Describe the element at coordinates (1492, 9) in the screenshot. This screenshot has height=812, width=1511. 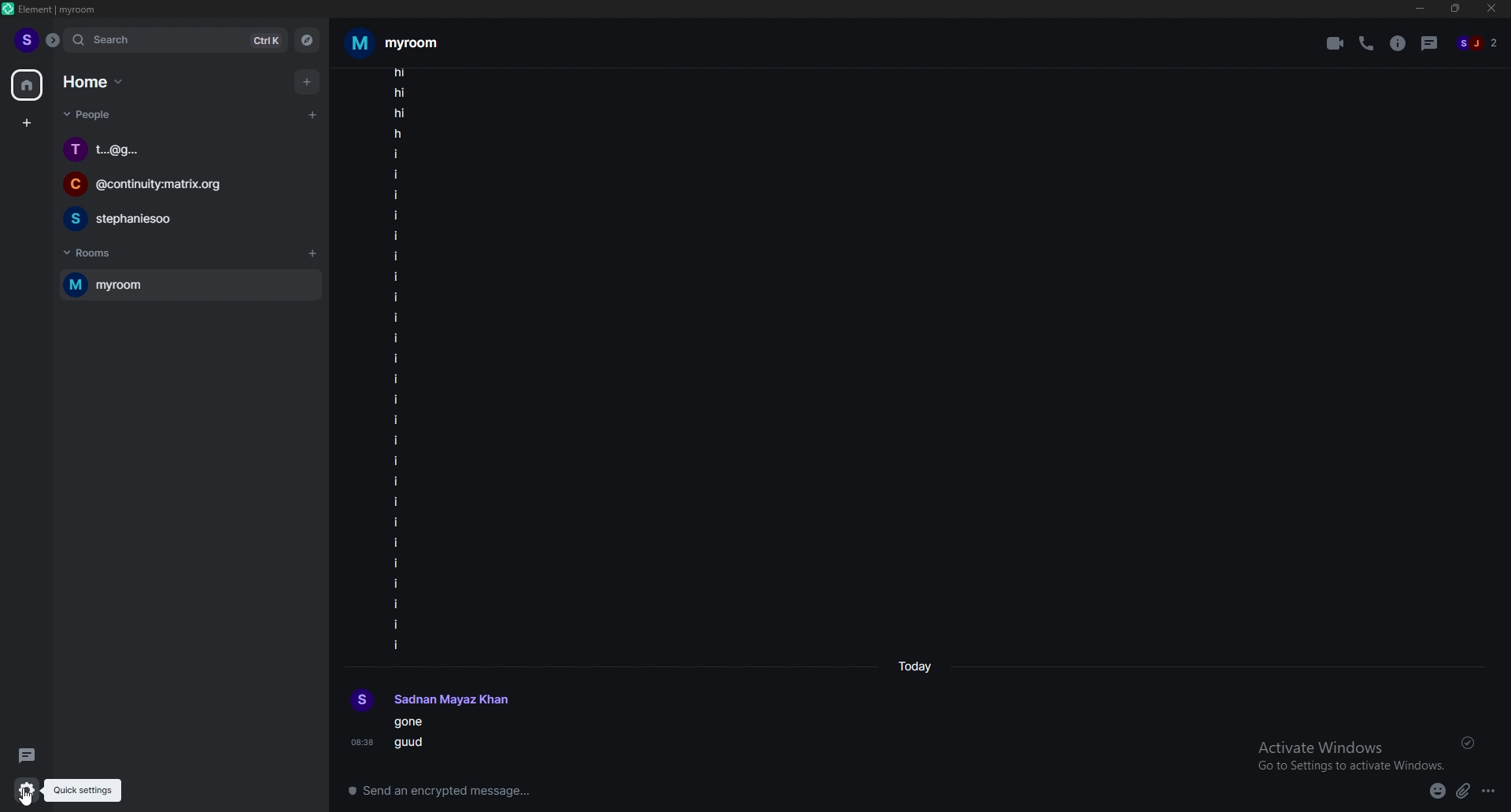
I see `close` at that location.